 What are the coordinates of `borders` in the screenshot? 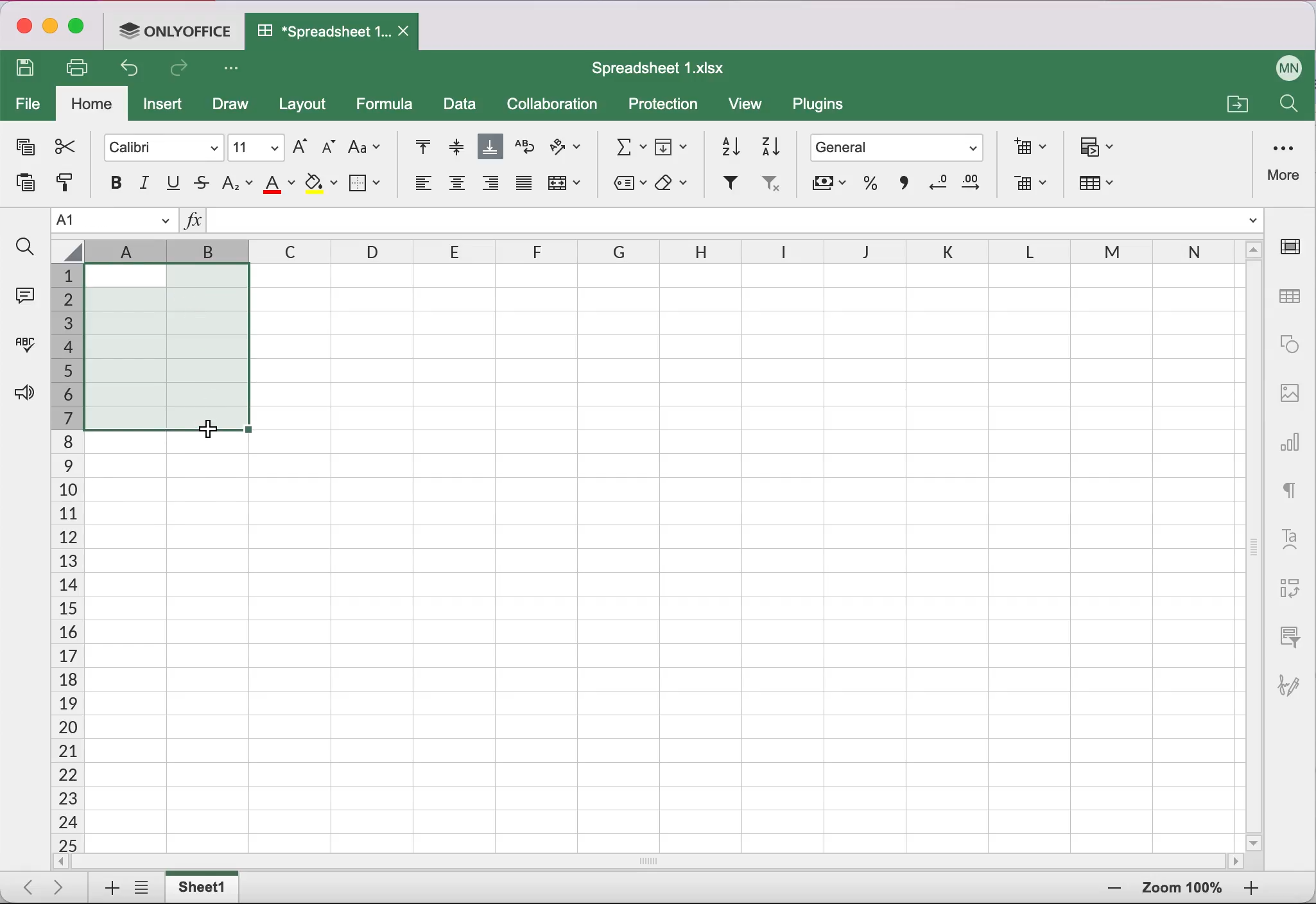 It's located at (367, 182).